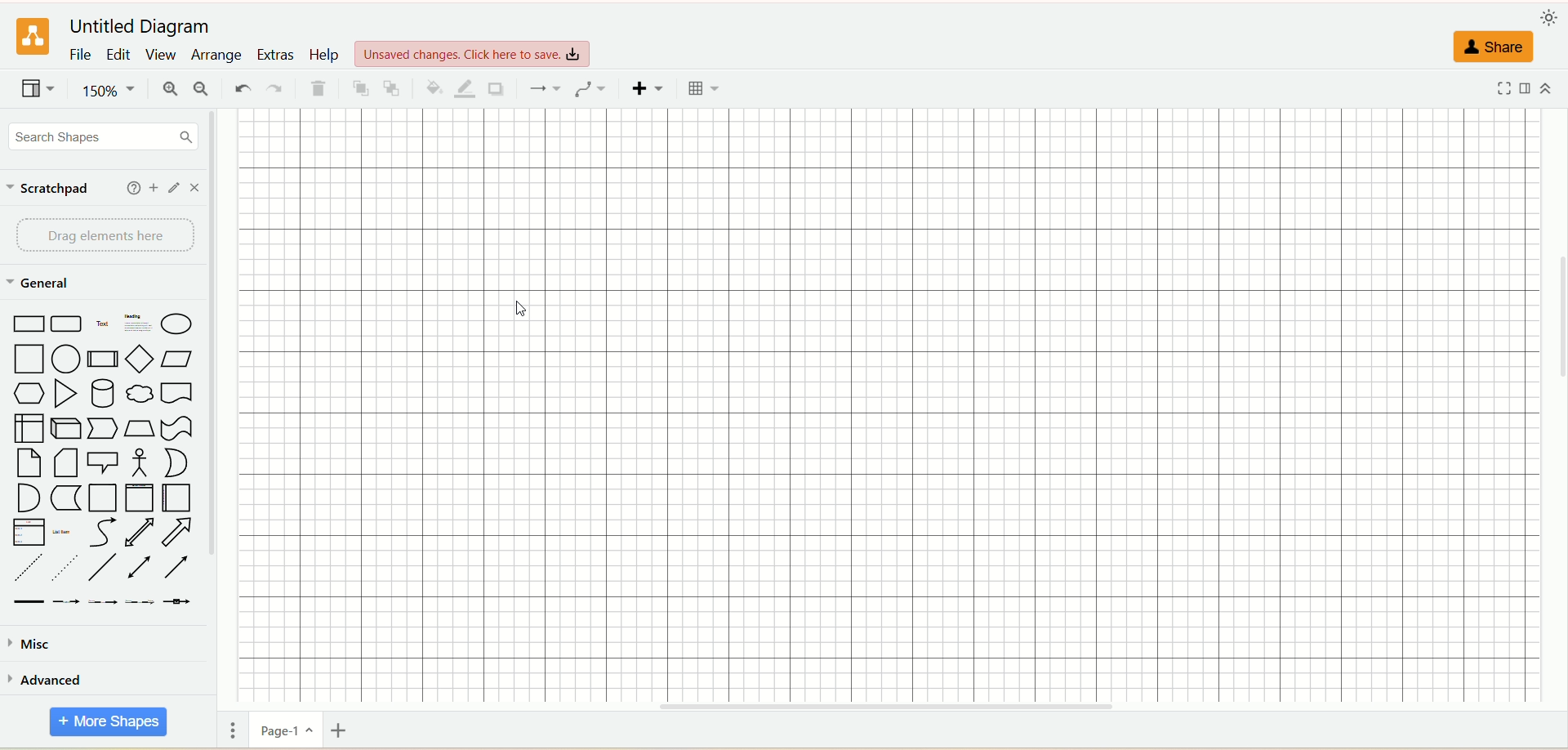  What do you see at coordinates (28, 325) in the screenshot?
I see `rectangle` at bounding box center [28, 325].